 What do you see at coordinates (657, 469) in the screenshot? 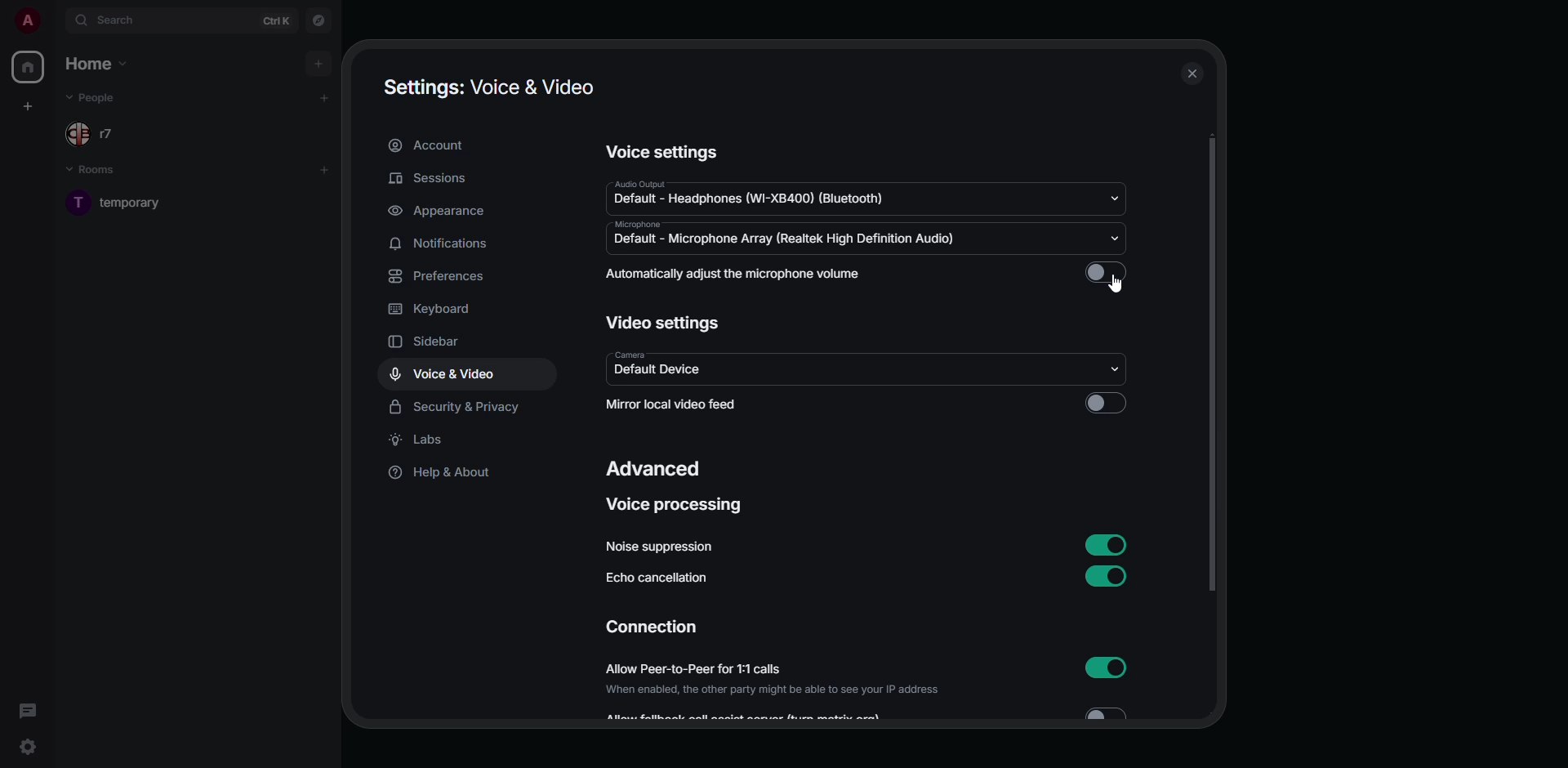
I see `advanced` at bounding box center [657, 469].